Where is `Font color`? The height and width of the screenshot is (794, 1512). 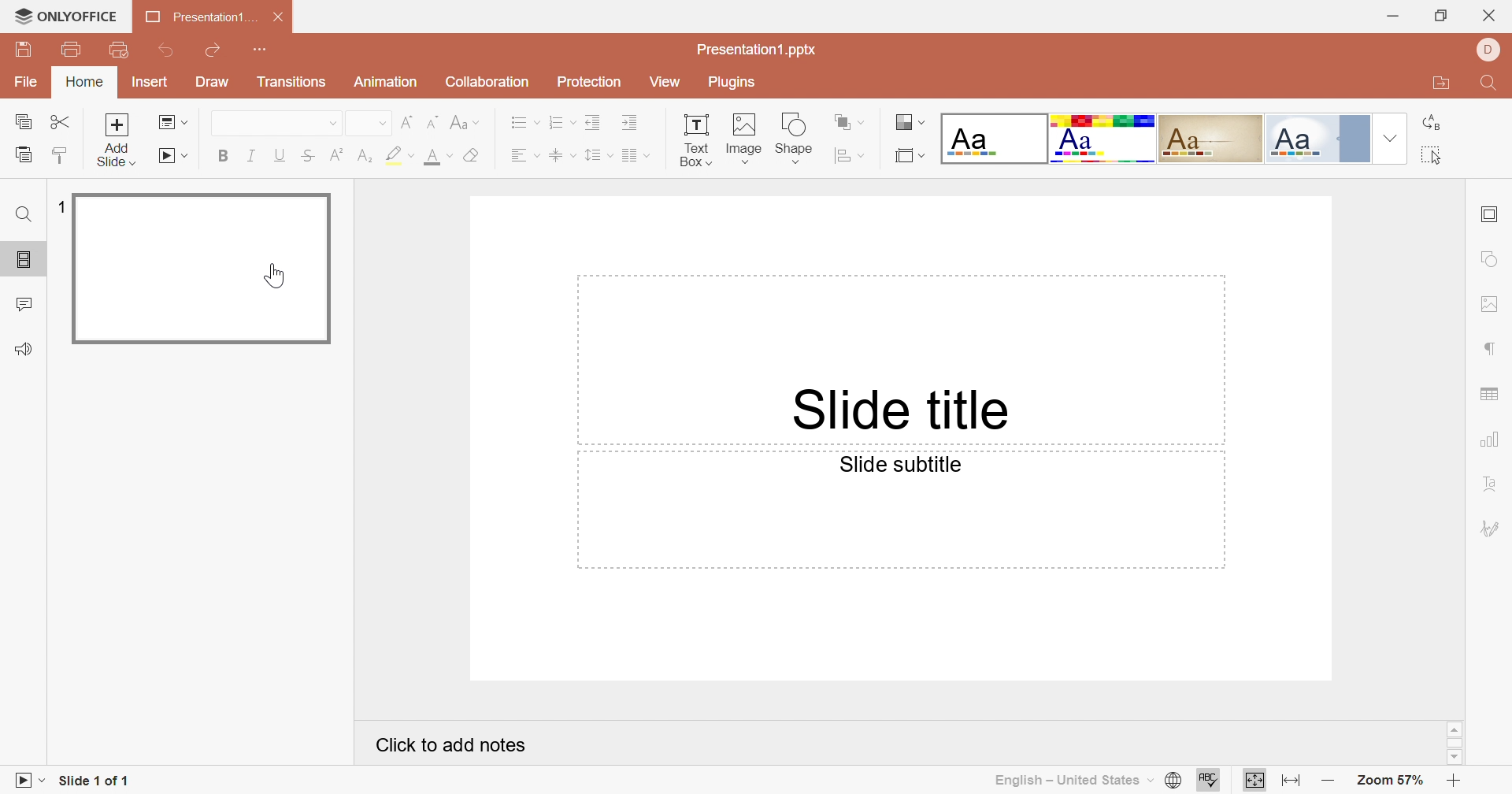 Font color is located at coordinates (432, 158).